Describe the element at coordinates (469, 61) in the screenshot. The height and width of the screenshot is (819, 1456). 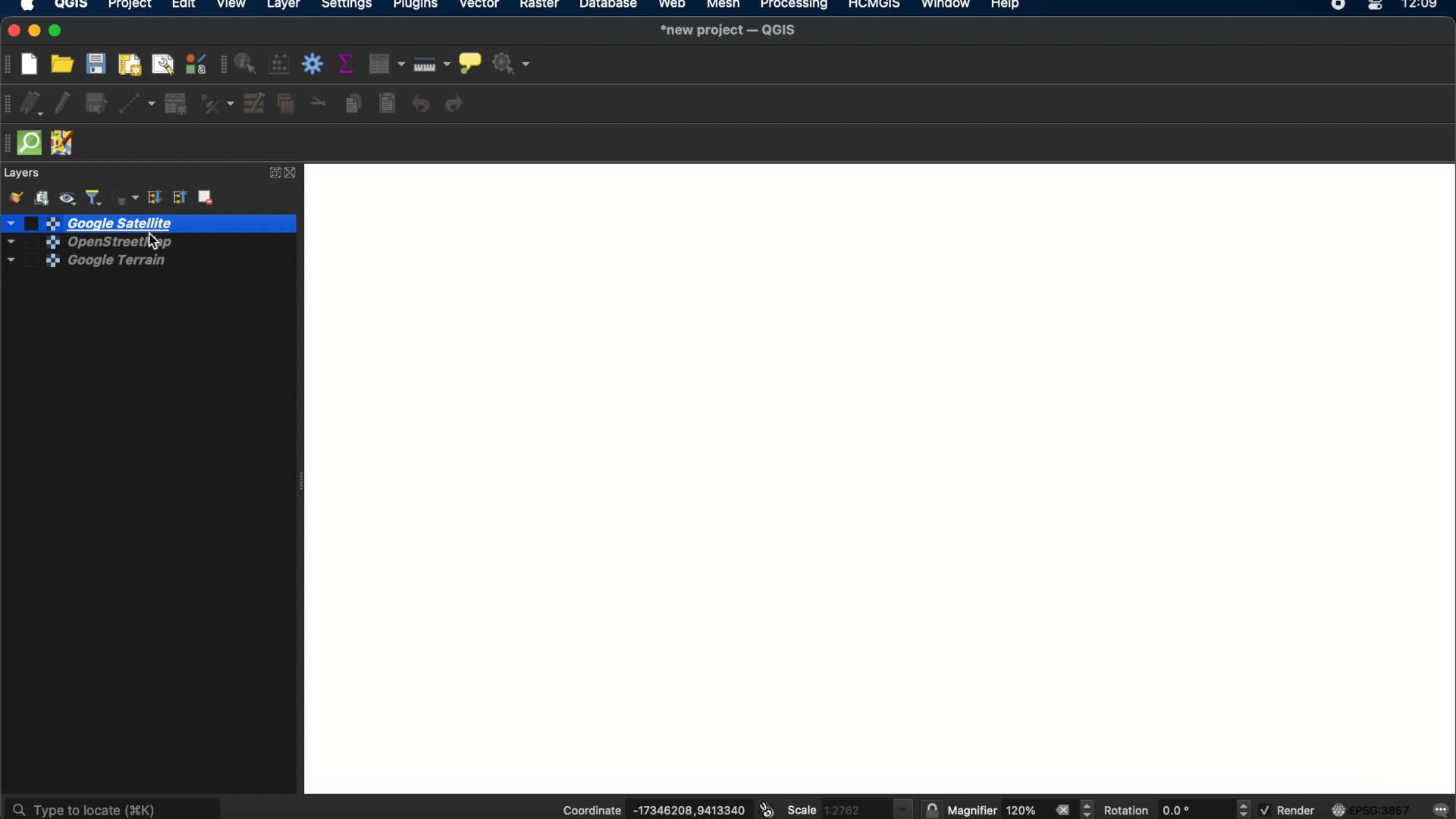
I see `show map tips` at that location.